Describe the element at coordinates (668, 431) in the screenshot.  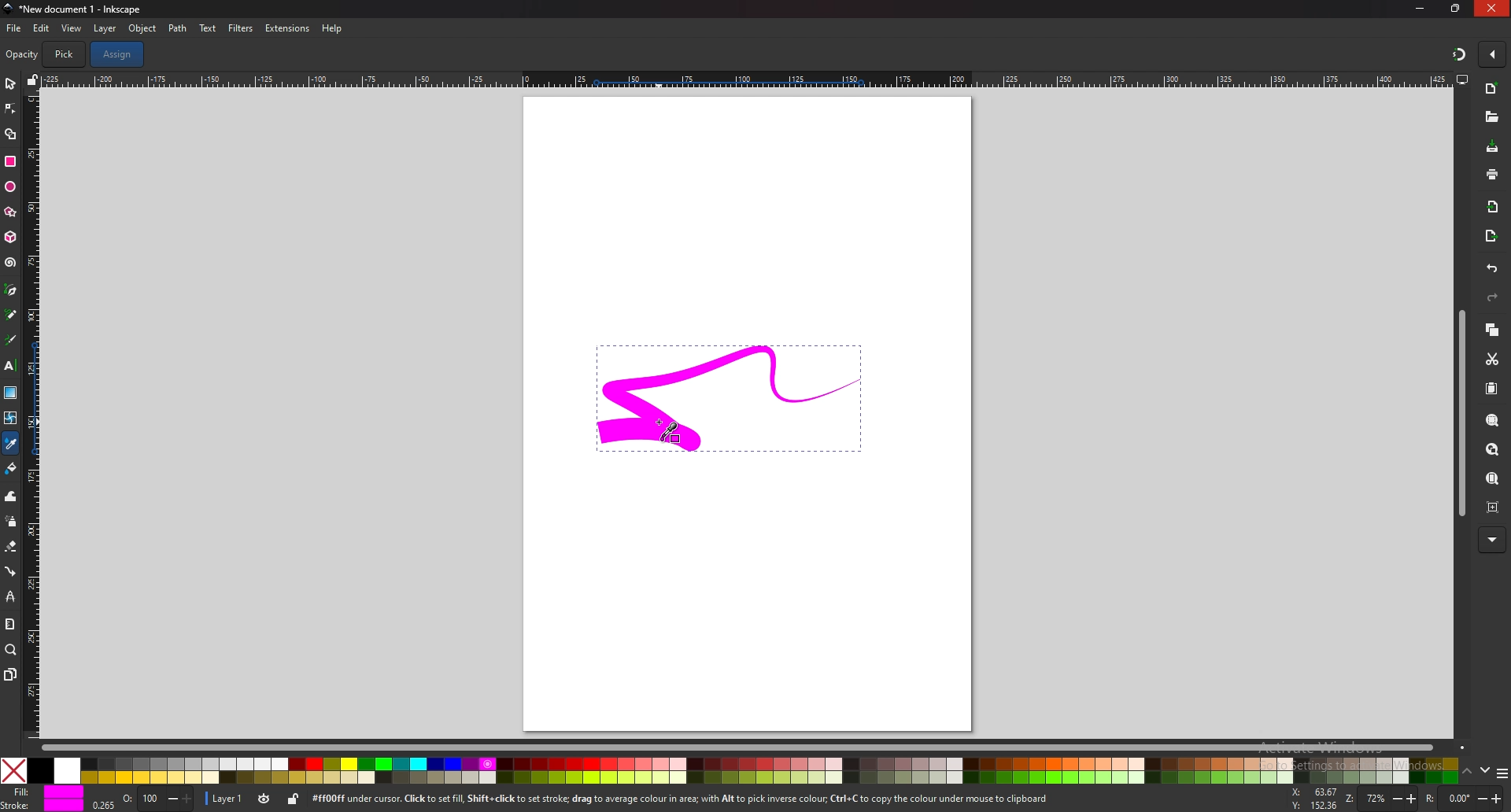
I see `picker color cursor` at that location.